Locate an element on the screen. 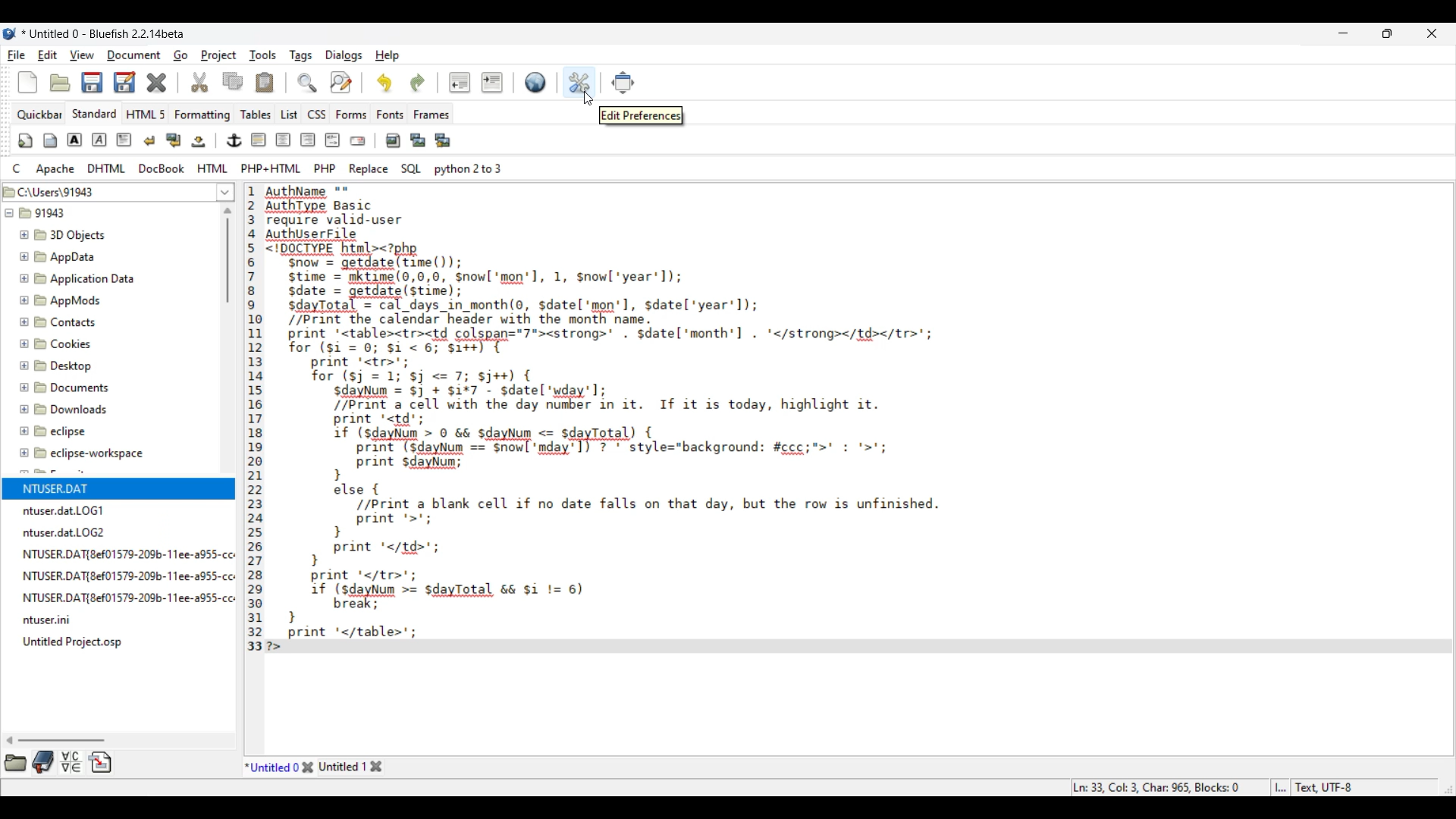 This screenshot has width=1456, height=819. New is located at coordinates (28, 83).